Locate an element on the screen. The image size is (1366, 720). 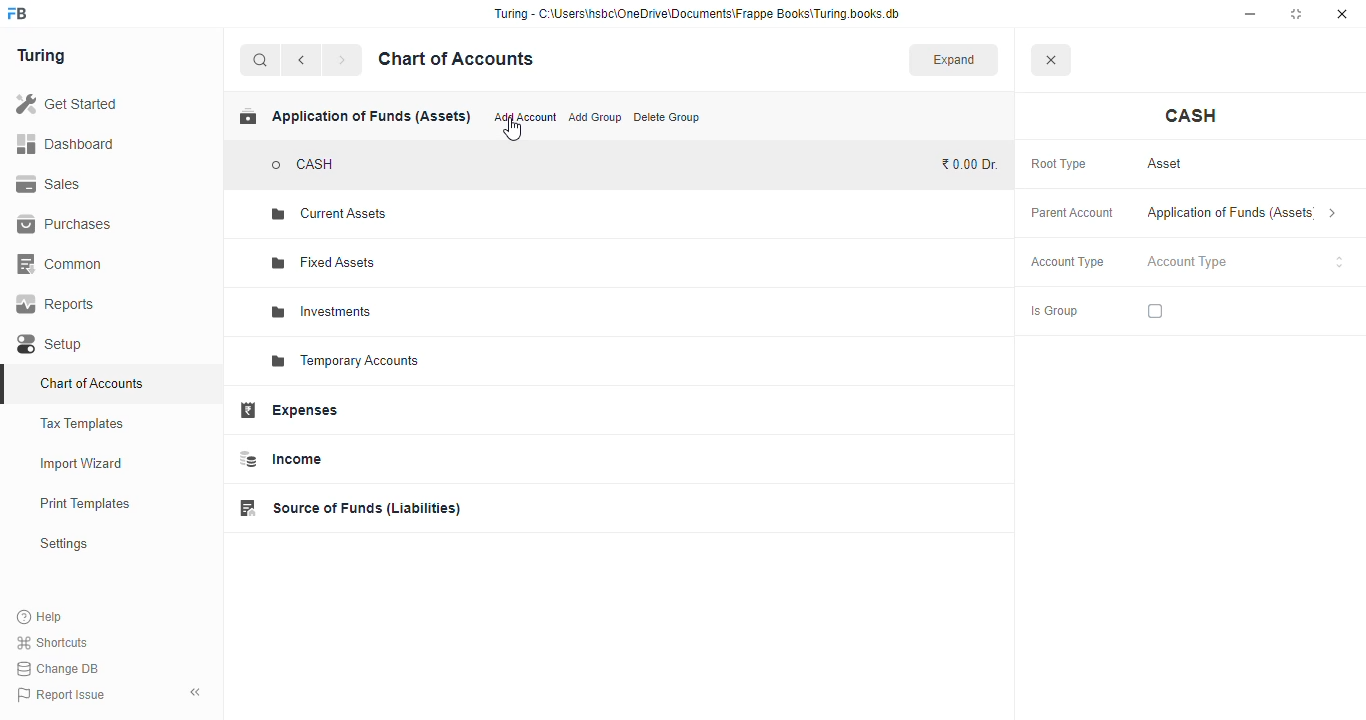
income is located at coordinates (279, 459).